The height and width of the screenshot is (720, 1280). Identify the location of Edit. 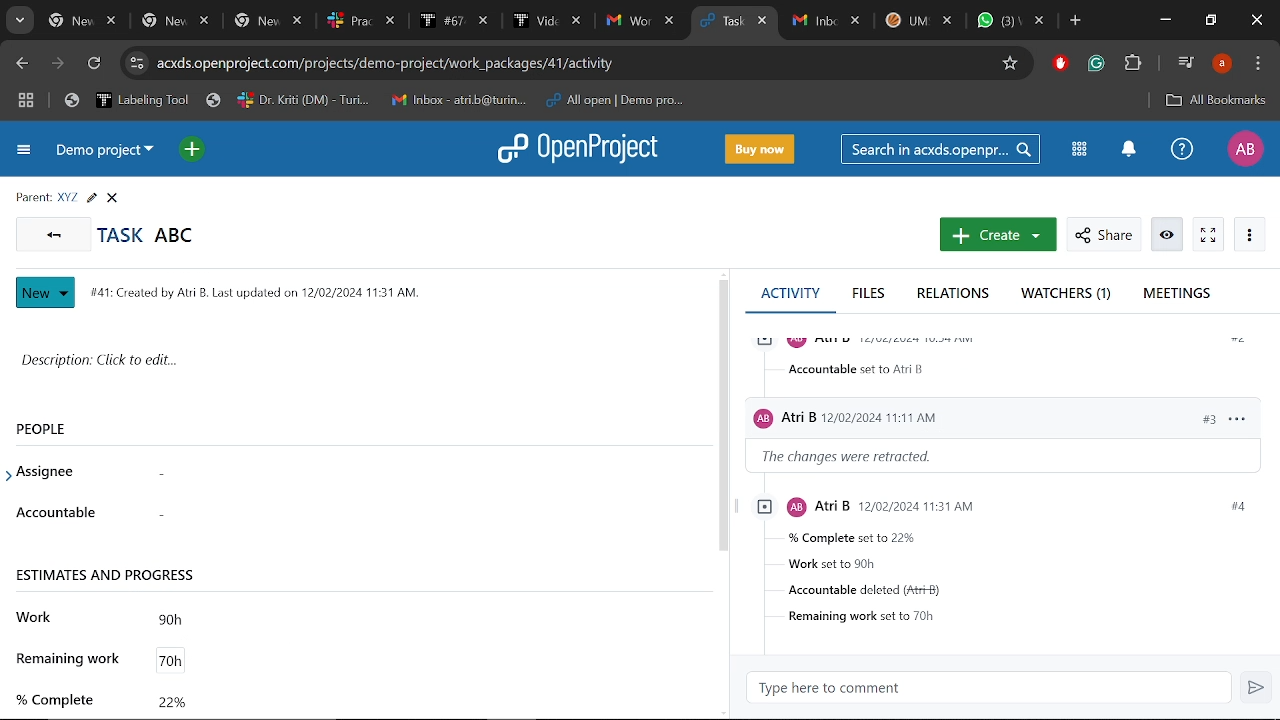
(91, 198).